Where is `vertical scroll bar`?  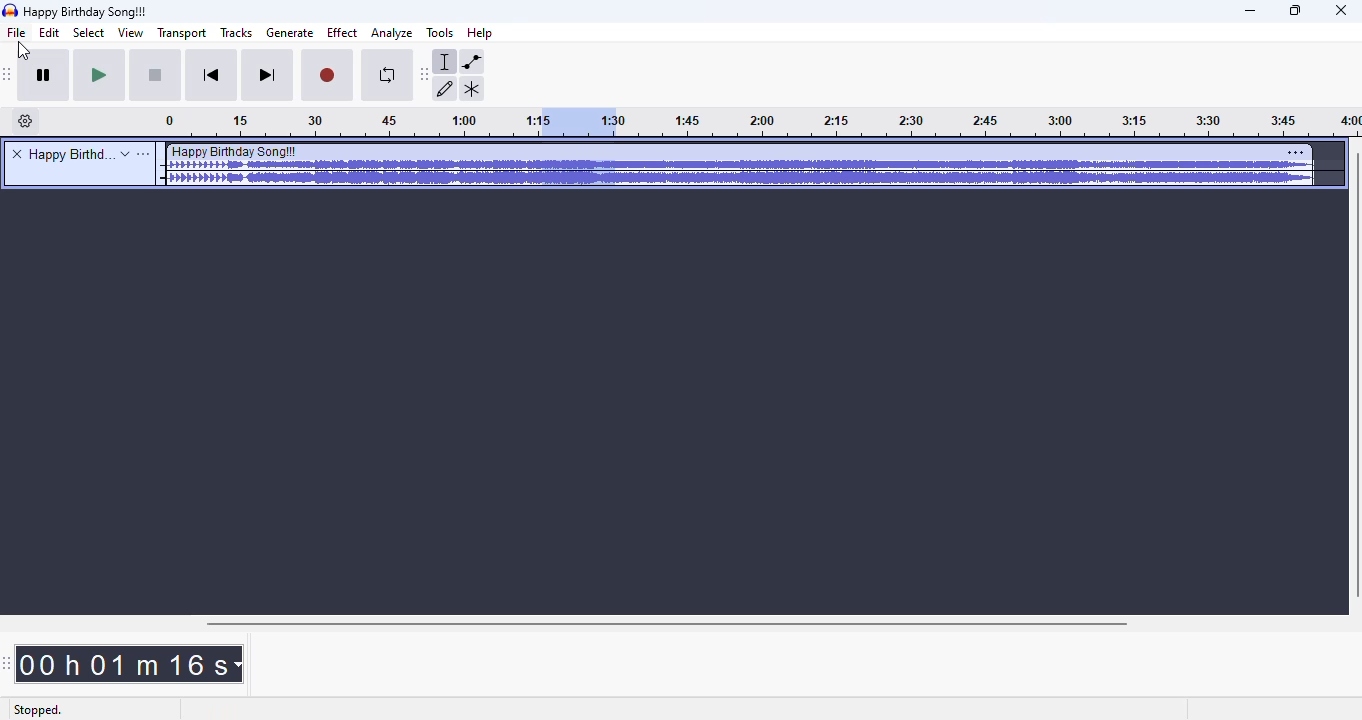 vertical scroll bar is located at coordinates (1353, 376).